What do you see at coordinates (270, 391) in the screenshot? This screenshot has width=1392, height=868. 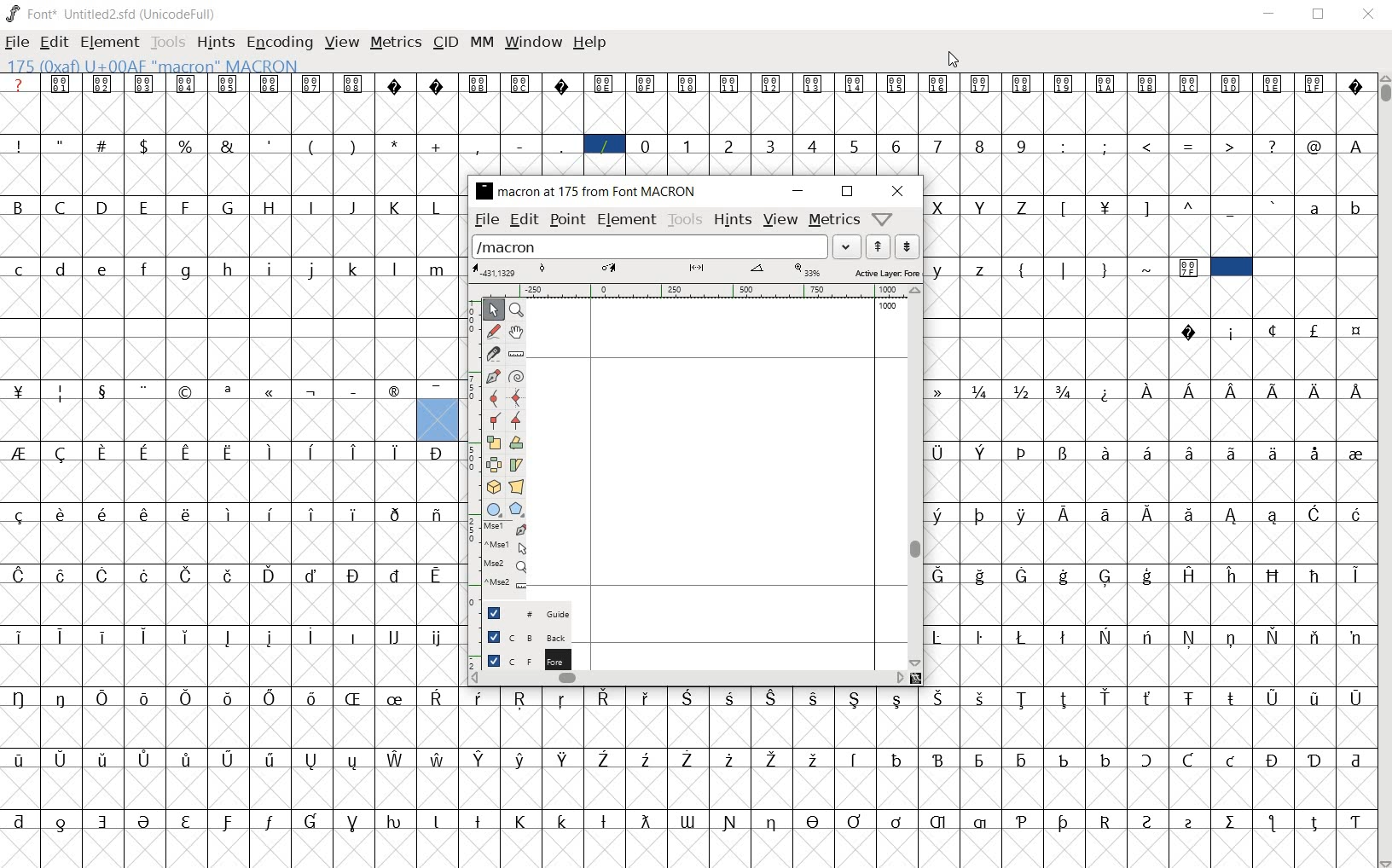 I see `Symbol` at bounding box center [270, 391].